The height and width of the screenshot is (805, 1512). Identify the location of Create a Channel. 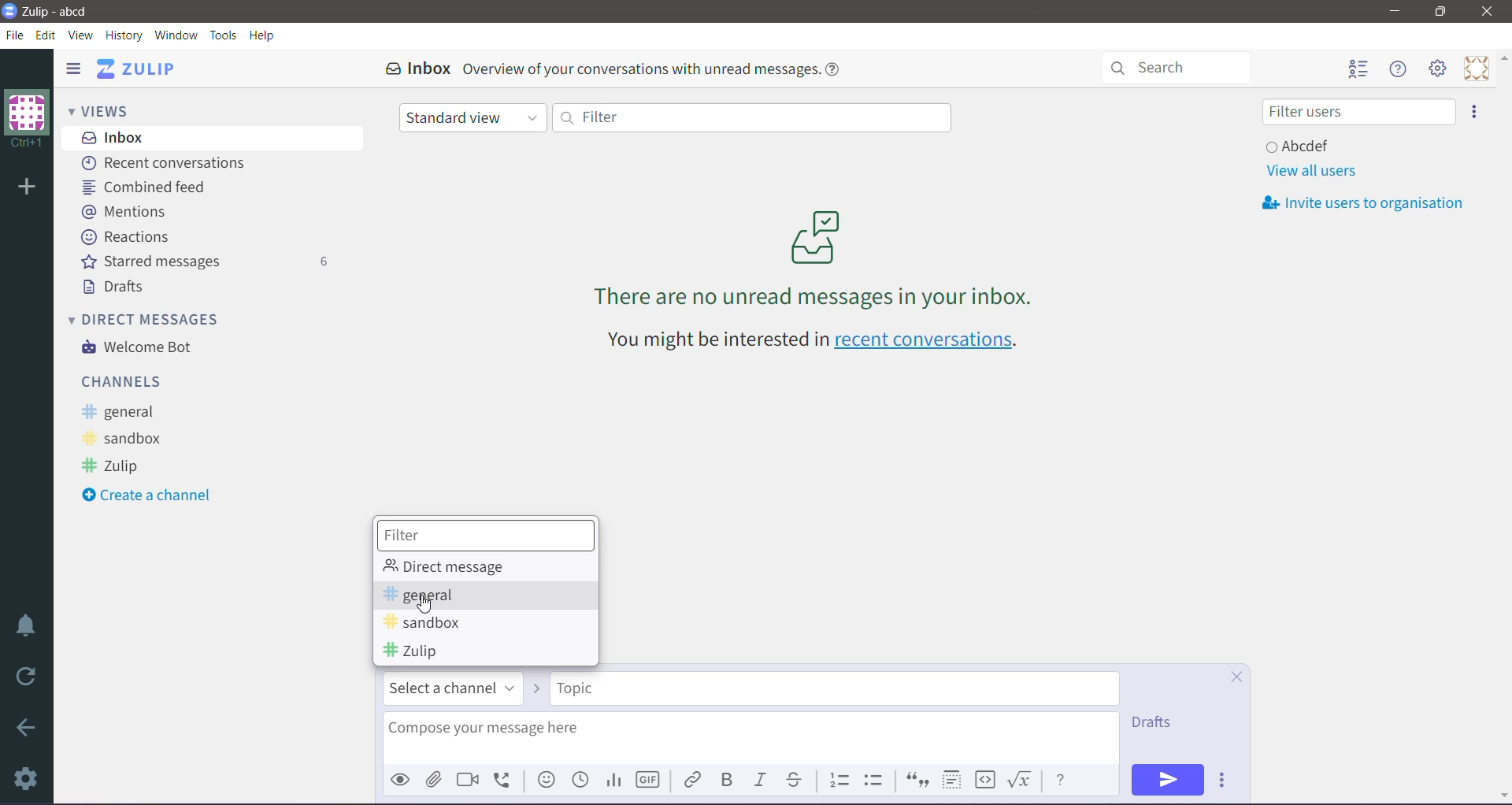
(153, 496).